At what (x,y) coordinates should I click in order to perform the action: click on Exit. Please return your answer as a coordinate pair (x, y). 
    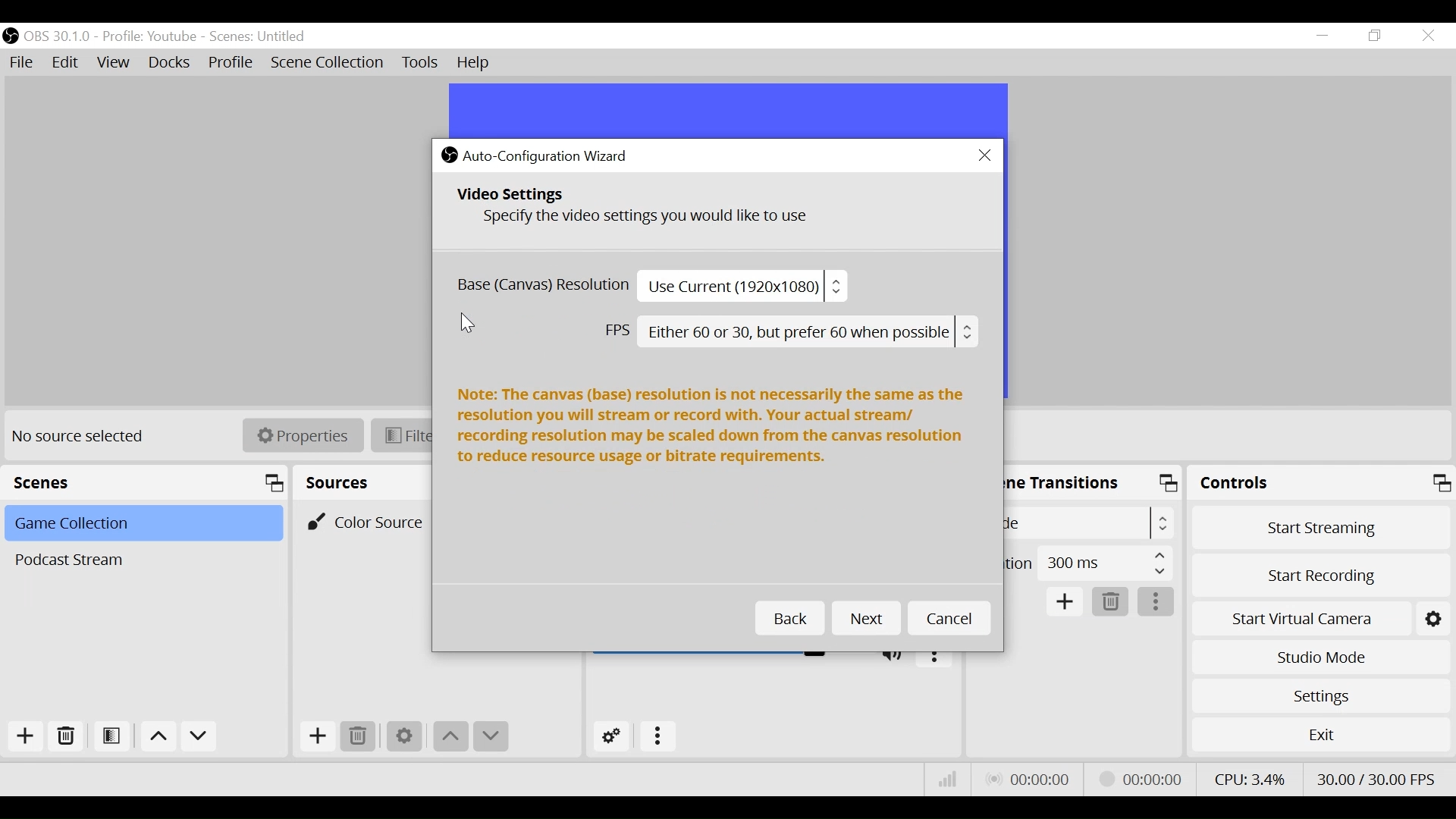
    Looking at the image, I should click on (1320, 735).